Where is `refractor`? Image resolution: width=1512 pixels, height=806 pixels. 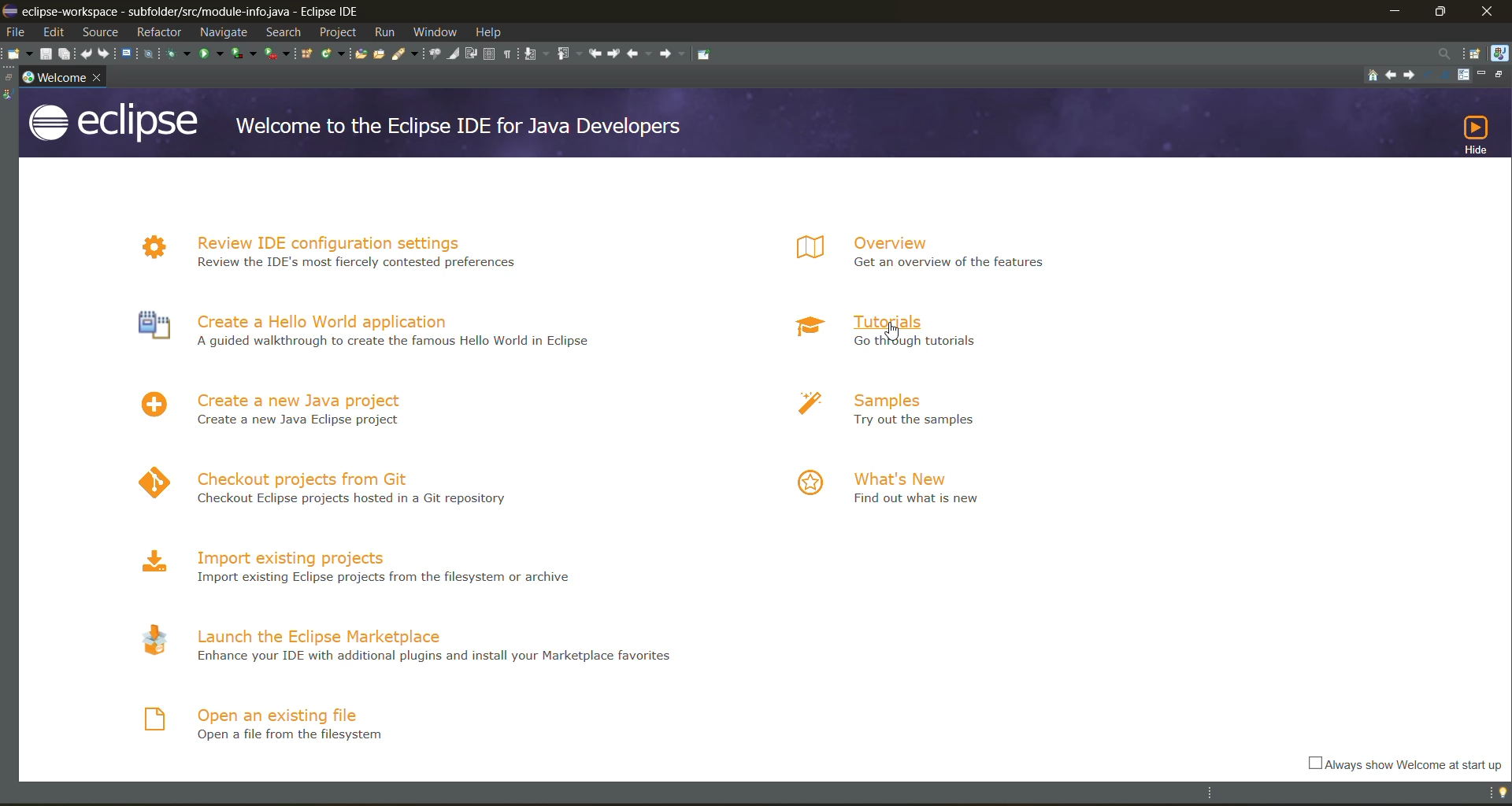
refractor is located at coordinates (159, 35).